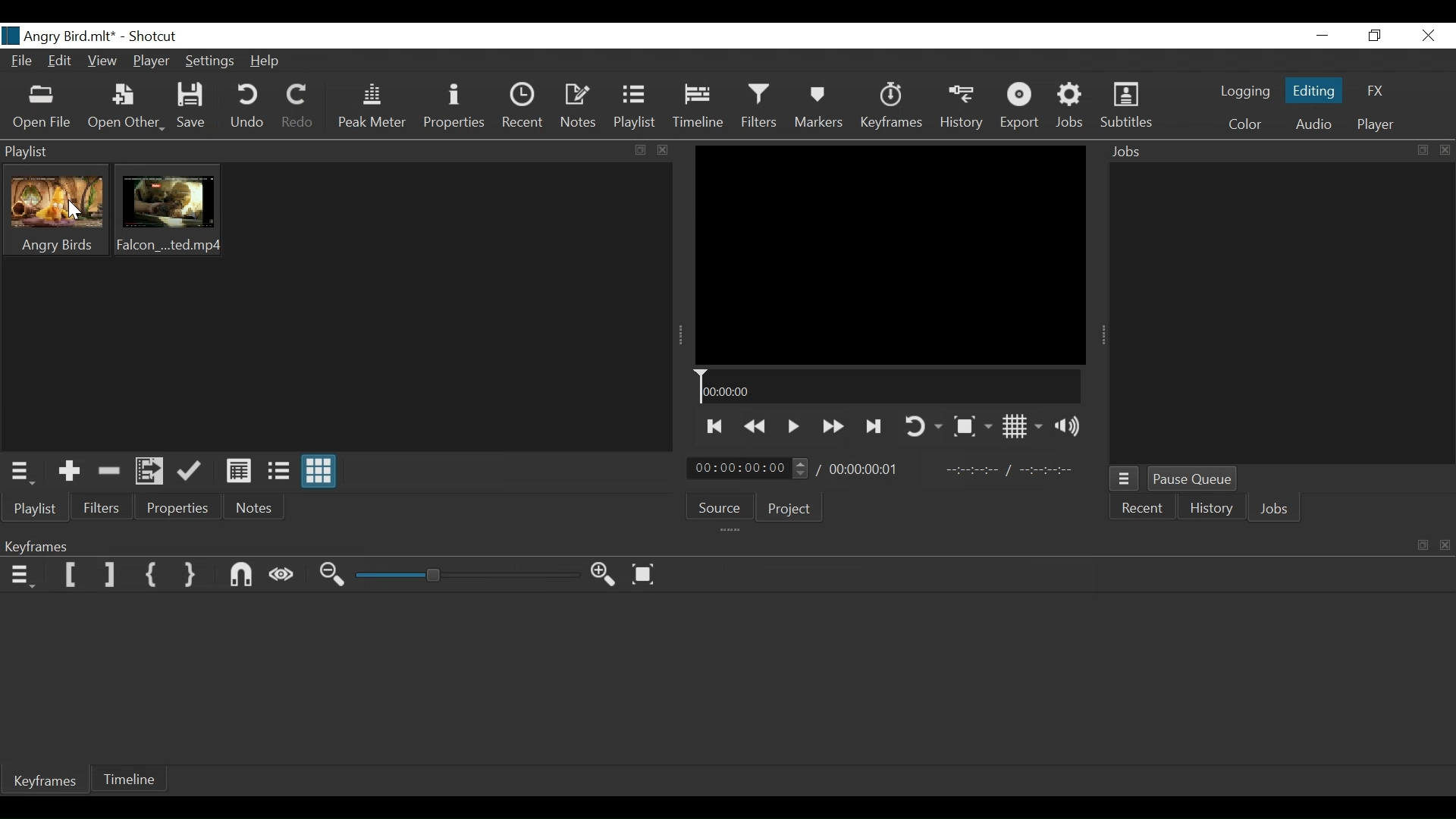 The width and height of the screenshot is (1456, 819). I want to click on Add files to the playlist, so click(148, 472).